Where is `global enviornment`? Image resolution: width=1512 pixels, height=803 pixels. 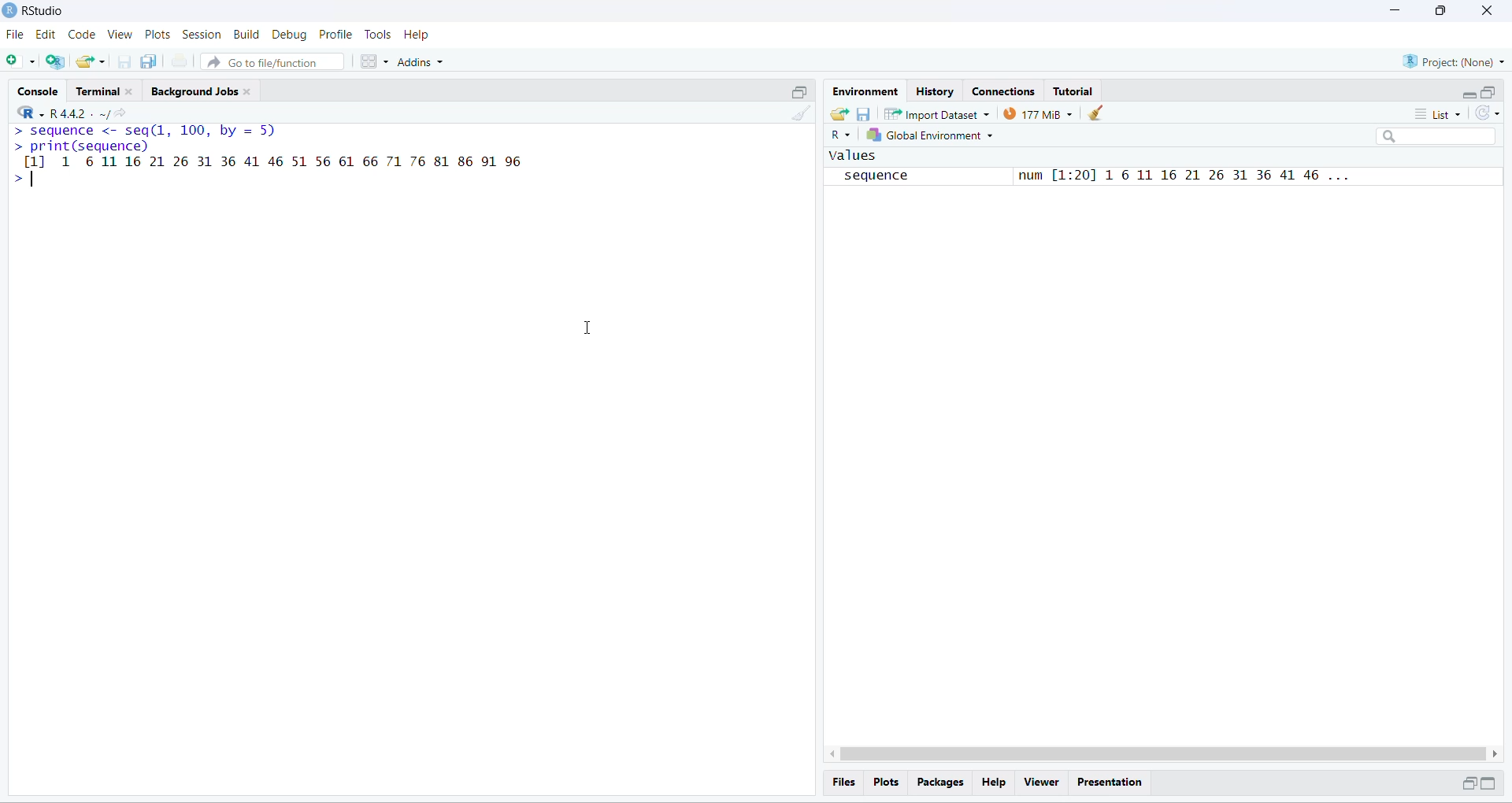 global enviornment is located at coordinates (933, 135).